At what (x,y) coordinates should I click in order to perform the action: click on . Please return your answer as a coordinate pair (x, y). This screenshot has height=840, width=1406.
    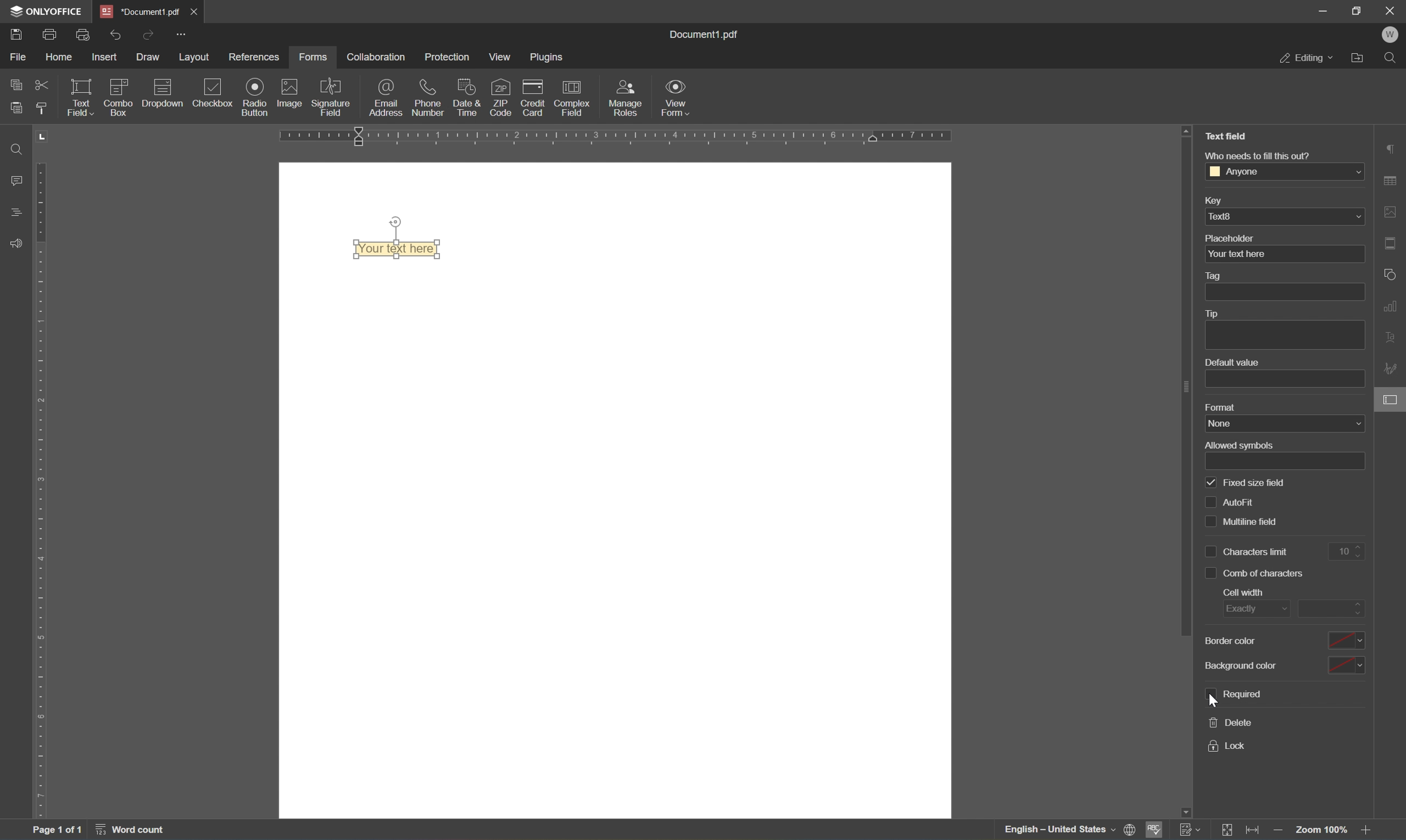
    Looking at the image, I should click on (215, 96).